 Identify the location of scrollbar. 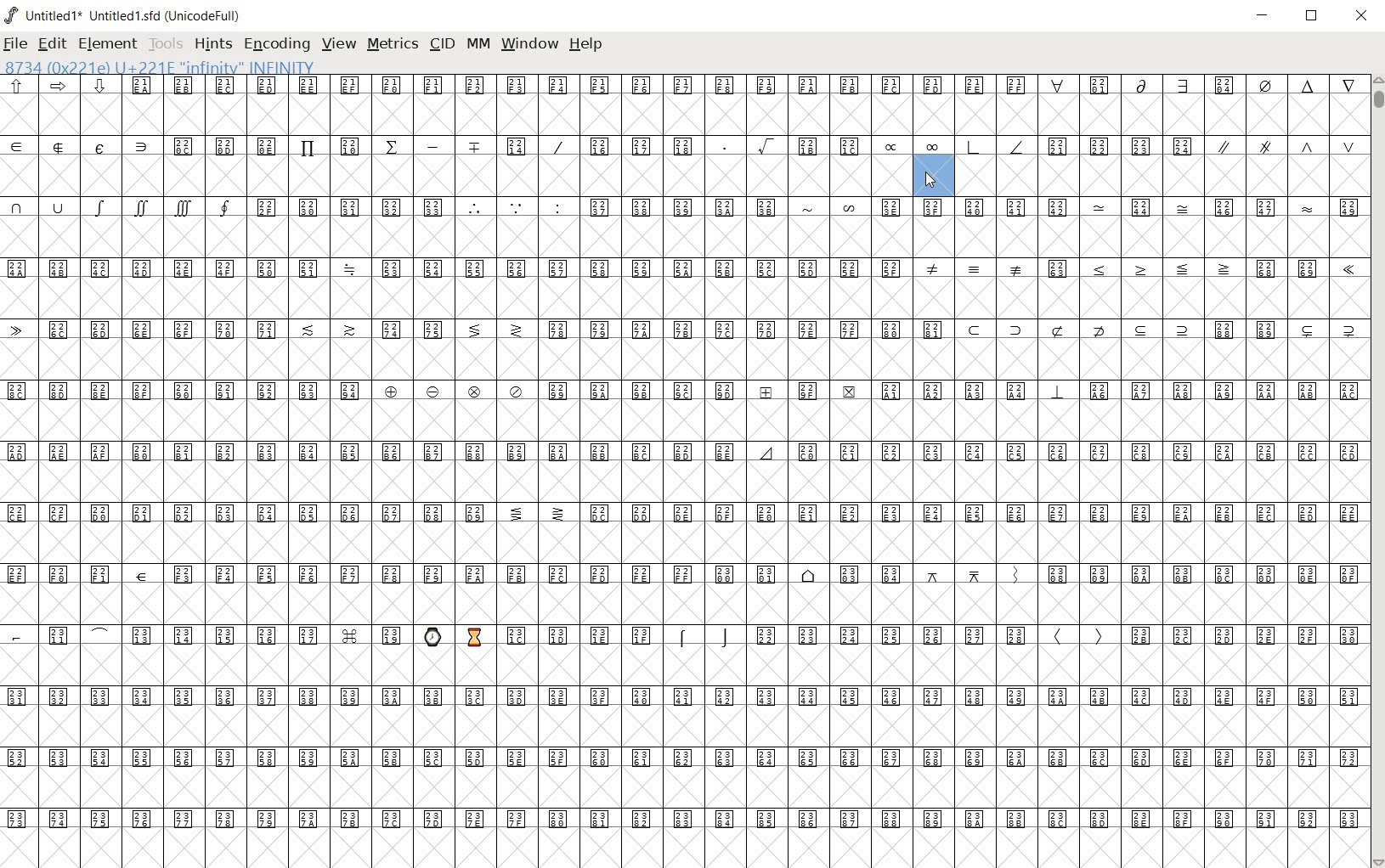
(1377, 470).